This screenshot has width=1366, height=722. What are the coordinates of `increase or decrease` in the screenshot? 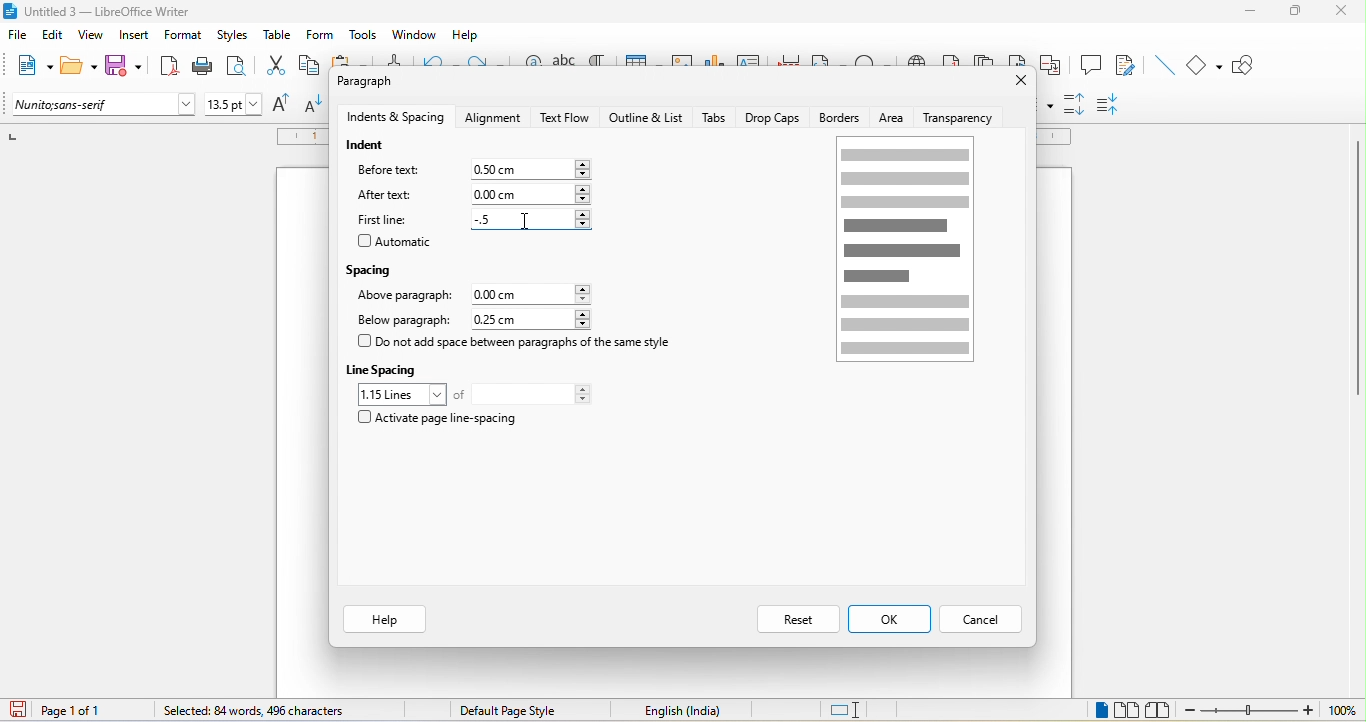 It's located at (583, 195).